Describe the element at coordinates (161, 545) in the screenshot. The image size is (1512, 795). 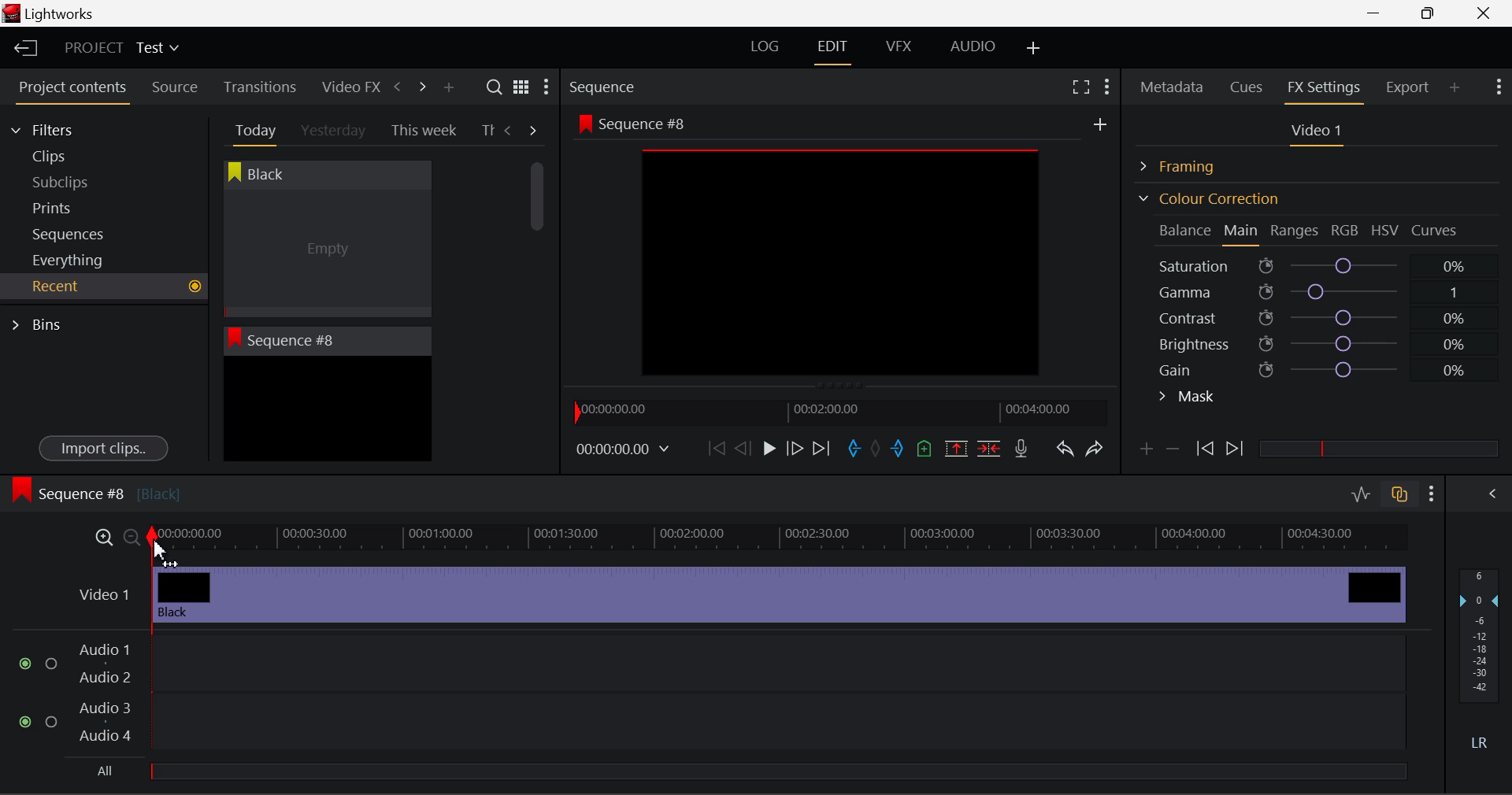
I see `MOUSE_DOWN Cursor Position` at that location.